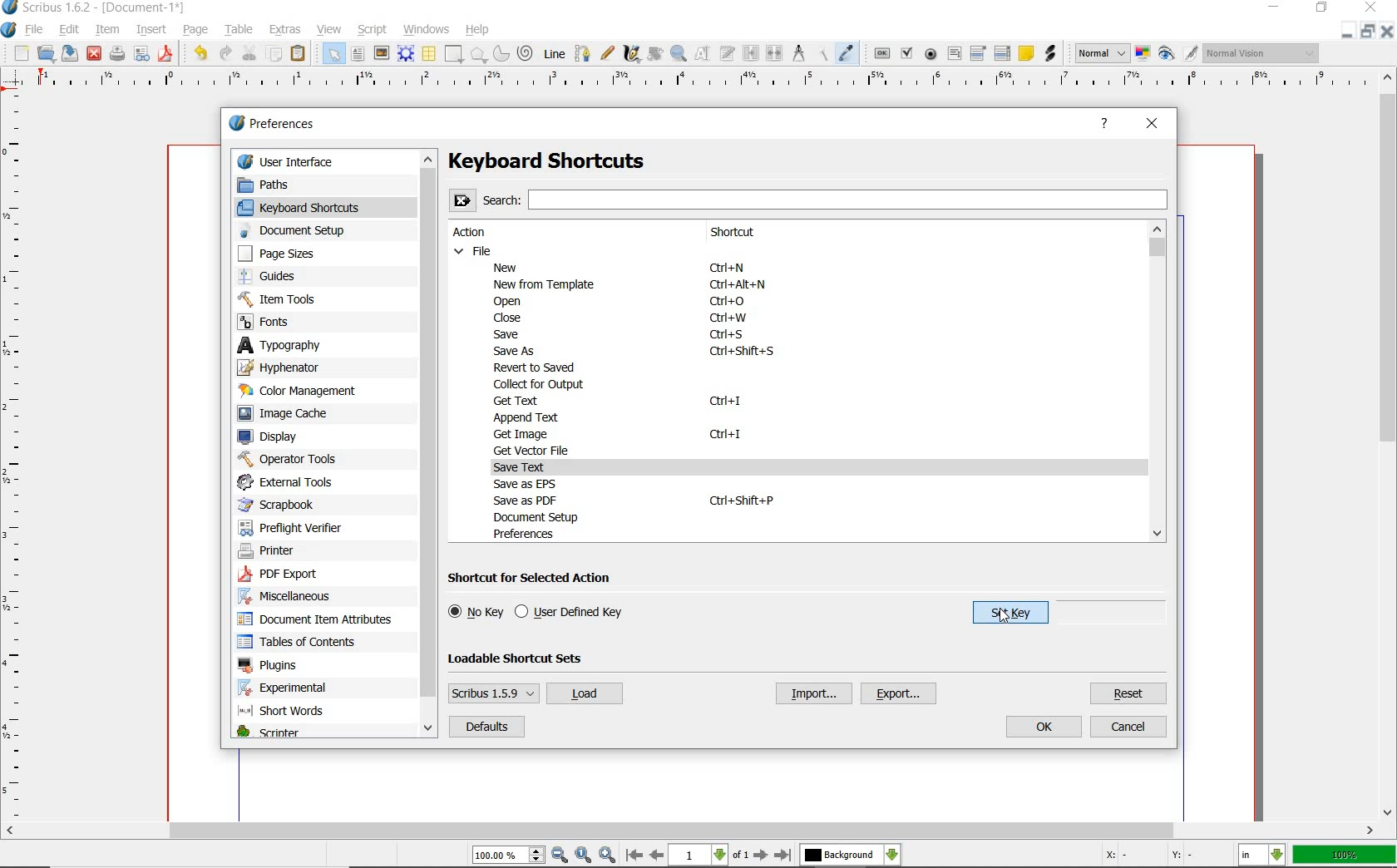  I want to click on pdf list box, so click(1001, 54).